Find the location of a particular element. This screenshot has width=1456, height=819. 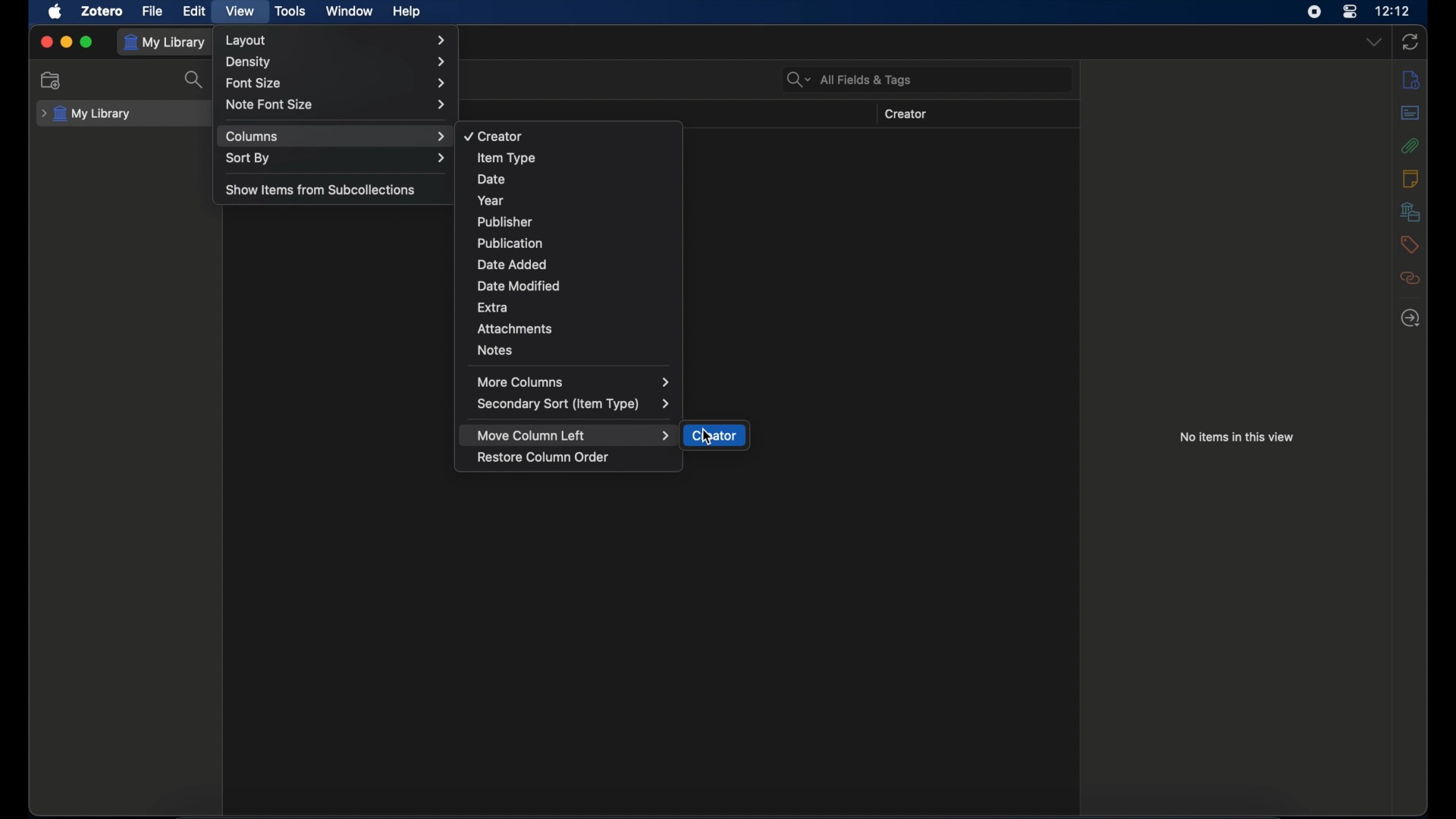

close is located at coordinates (46, 42).